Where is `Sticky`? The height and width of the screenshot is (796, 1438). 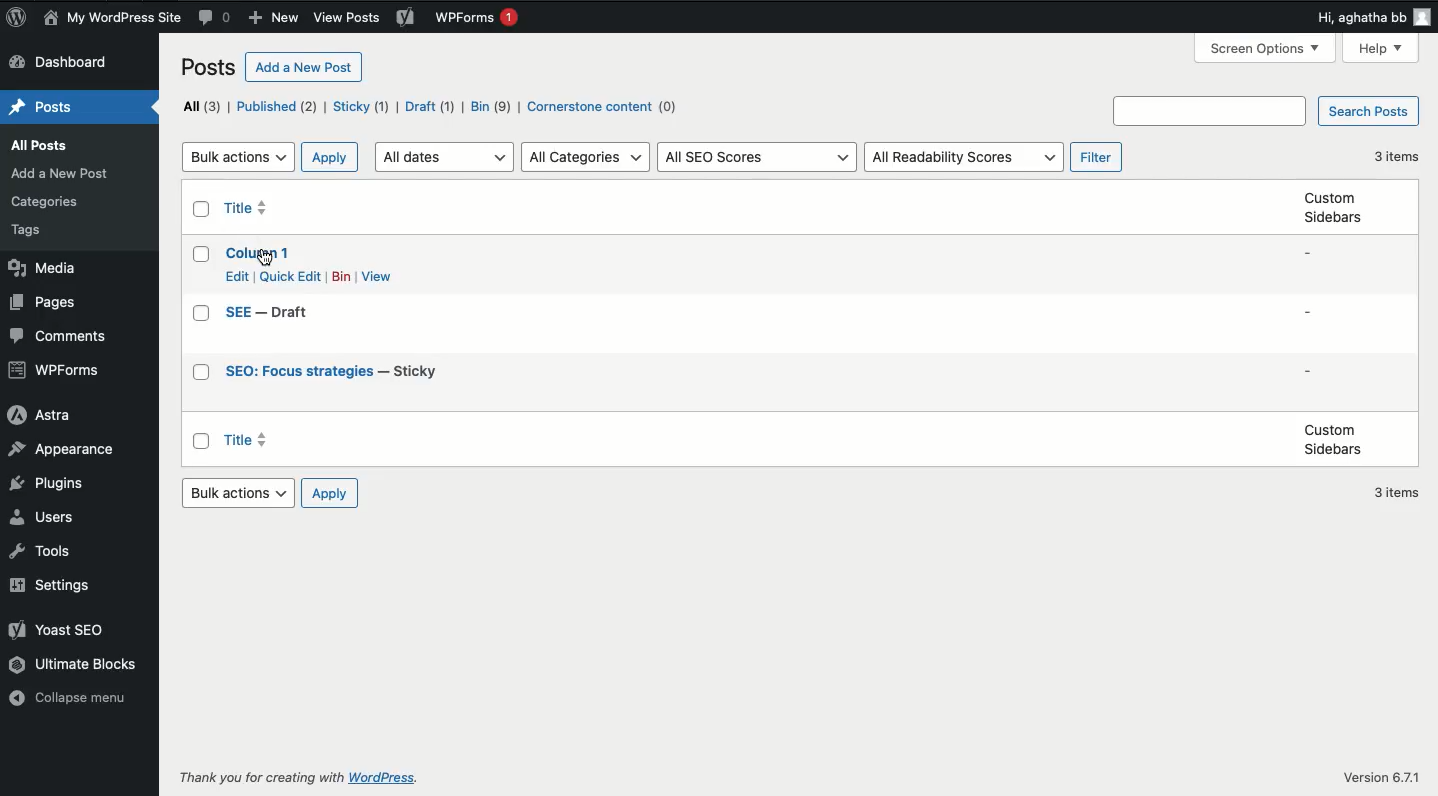 Sticky is located at coordinates (364, 107).